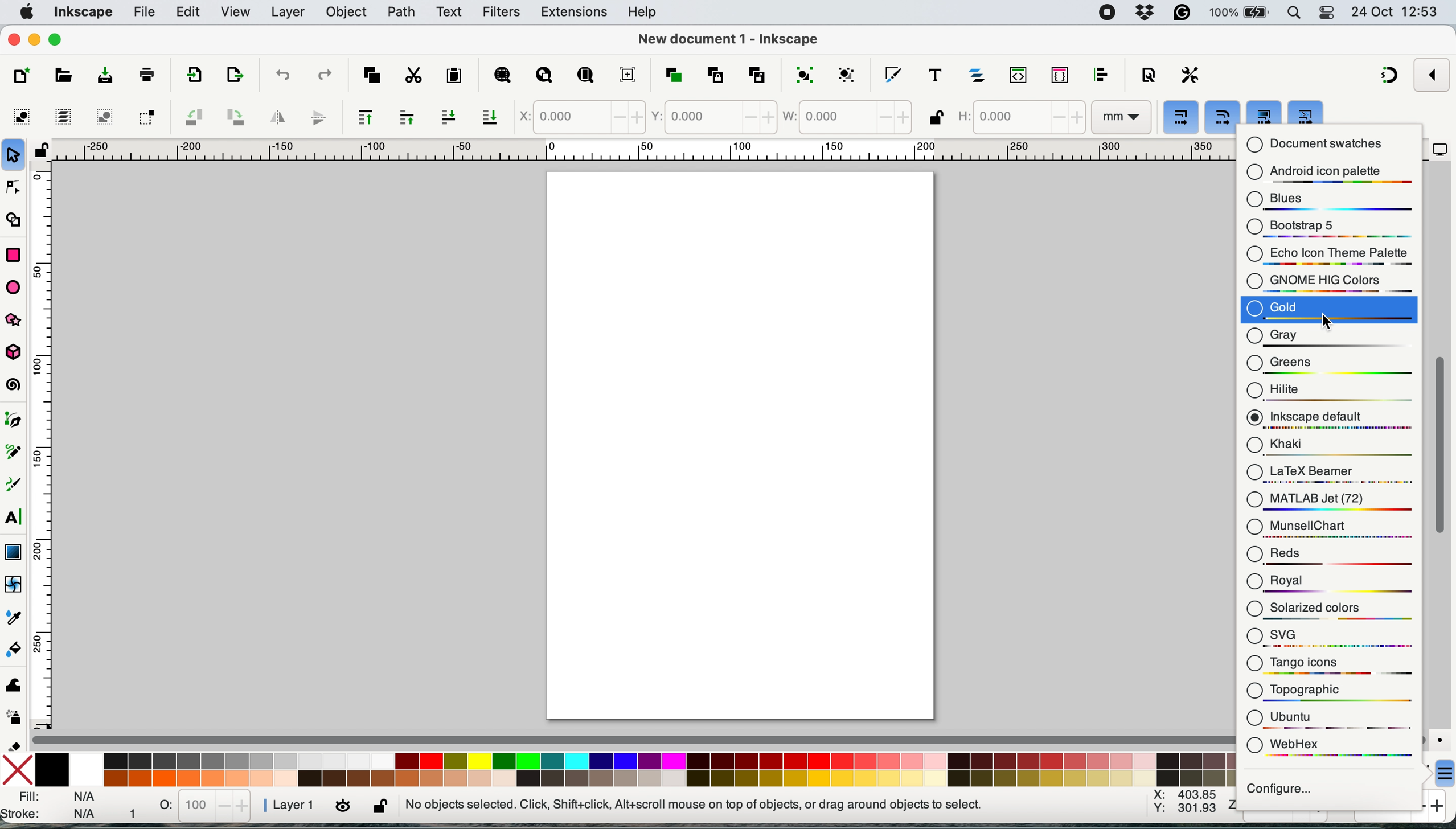  What do you see at coordinates (14, 287) in the screenshot?
I see `ellipse arc tool` at bounding box center [14, 287].